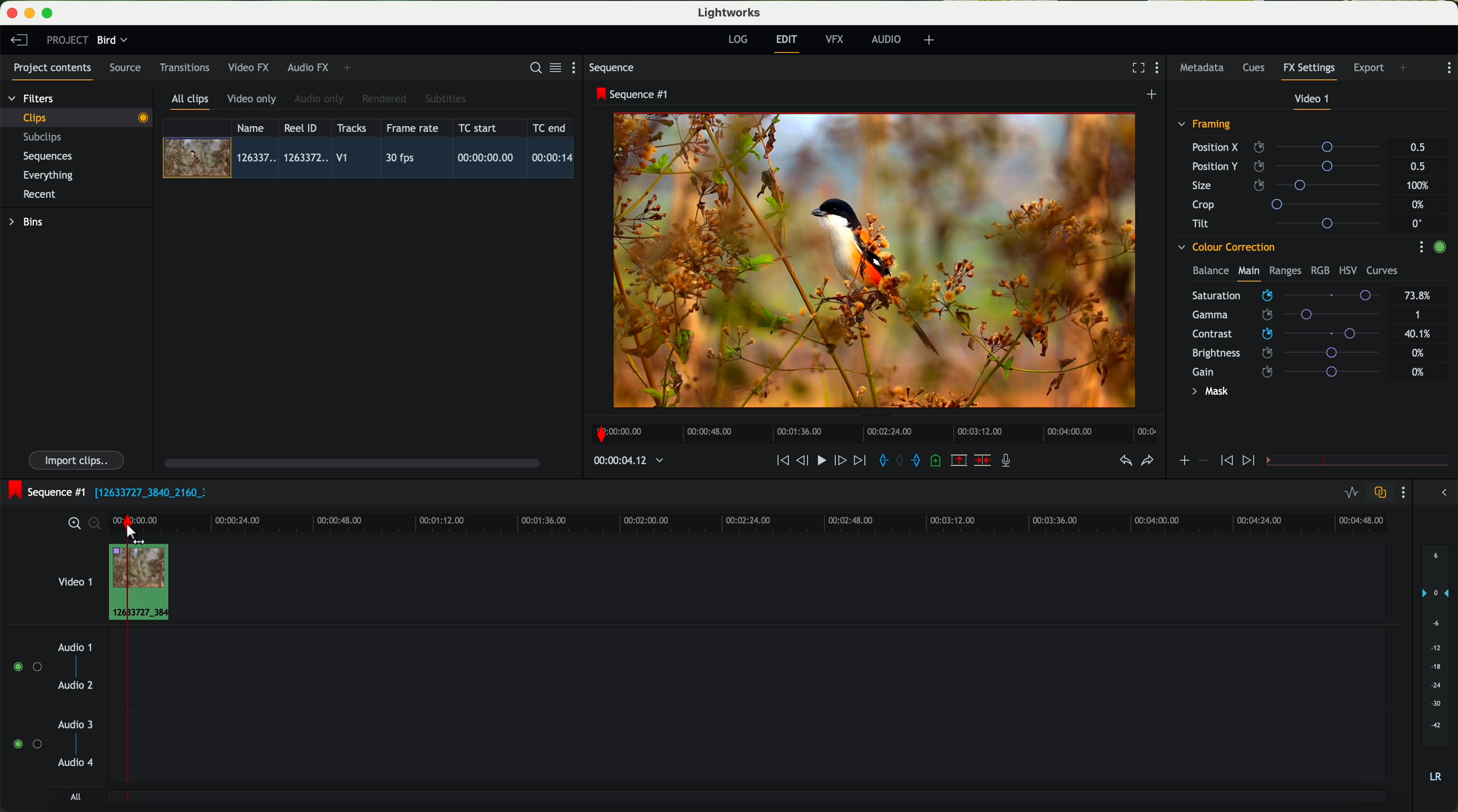 Image resolution: width=1458 pixels, height=812 pixels. I want to click on record a voice-over, so click(1010, 462).